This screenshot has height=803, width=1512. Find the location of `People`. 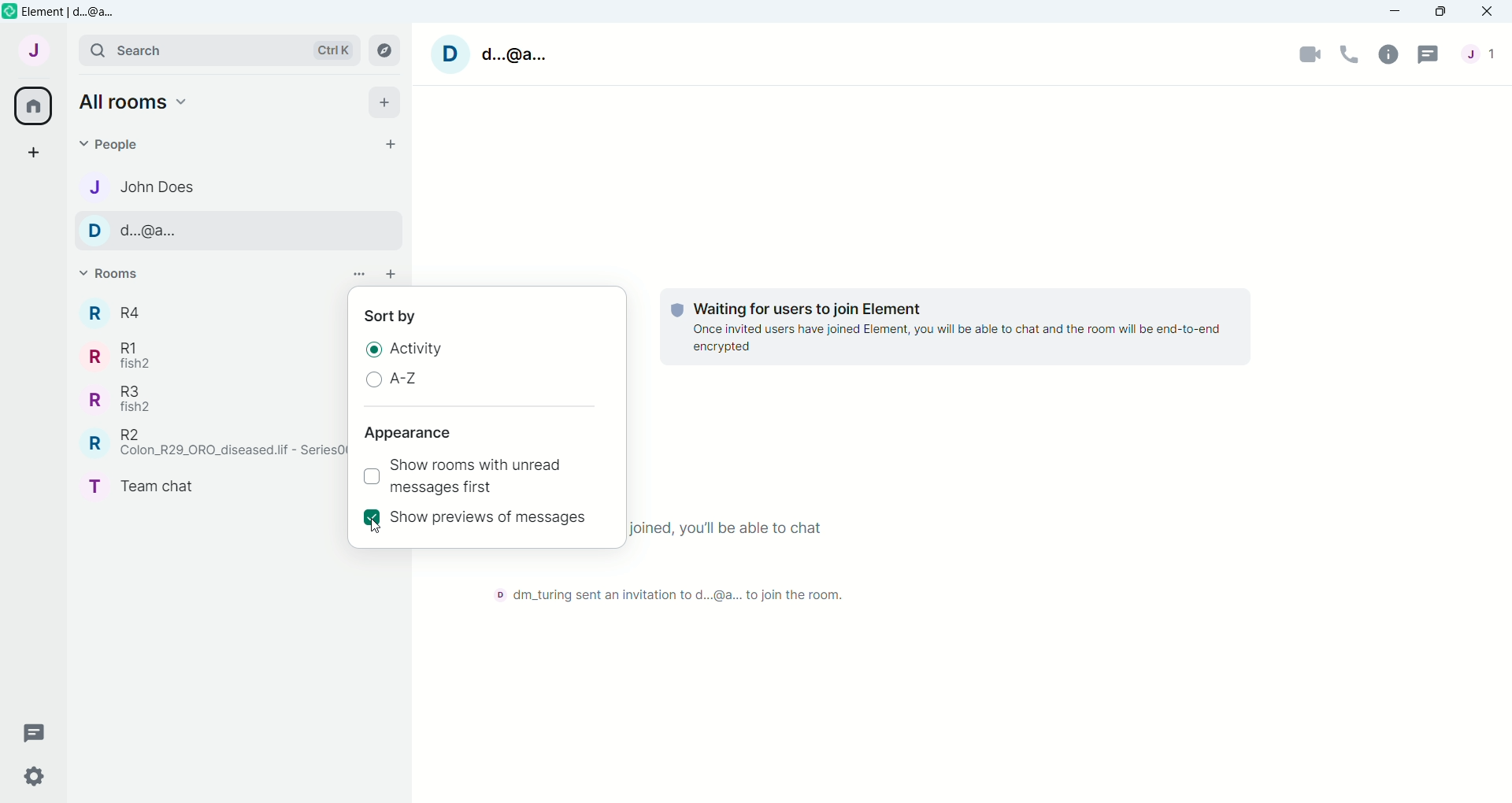

People is located at coordinates (1484, 54).